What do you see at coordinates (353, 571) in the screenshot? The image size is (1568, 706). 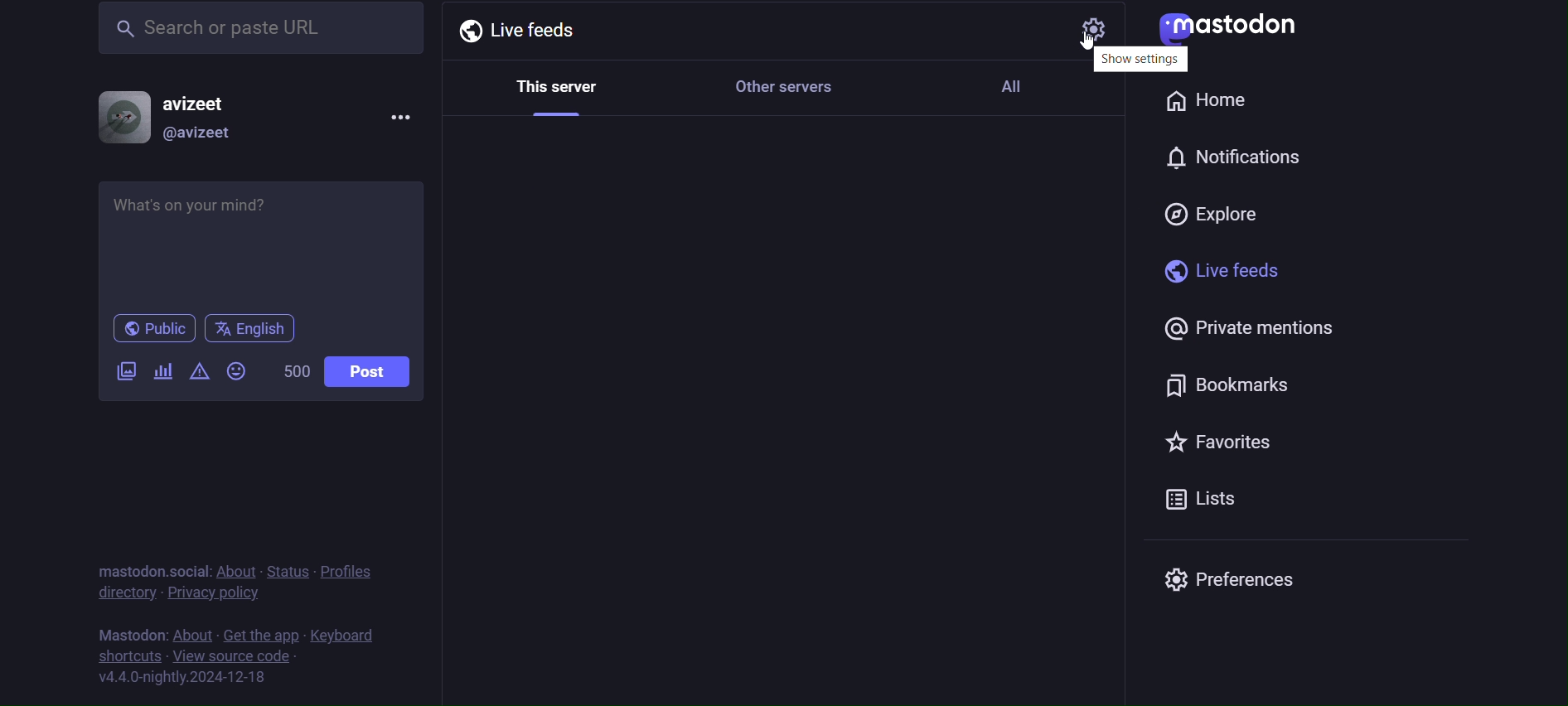 I see `profiles` at bounding box center [353, 571].